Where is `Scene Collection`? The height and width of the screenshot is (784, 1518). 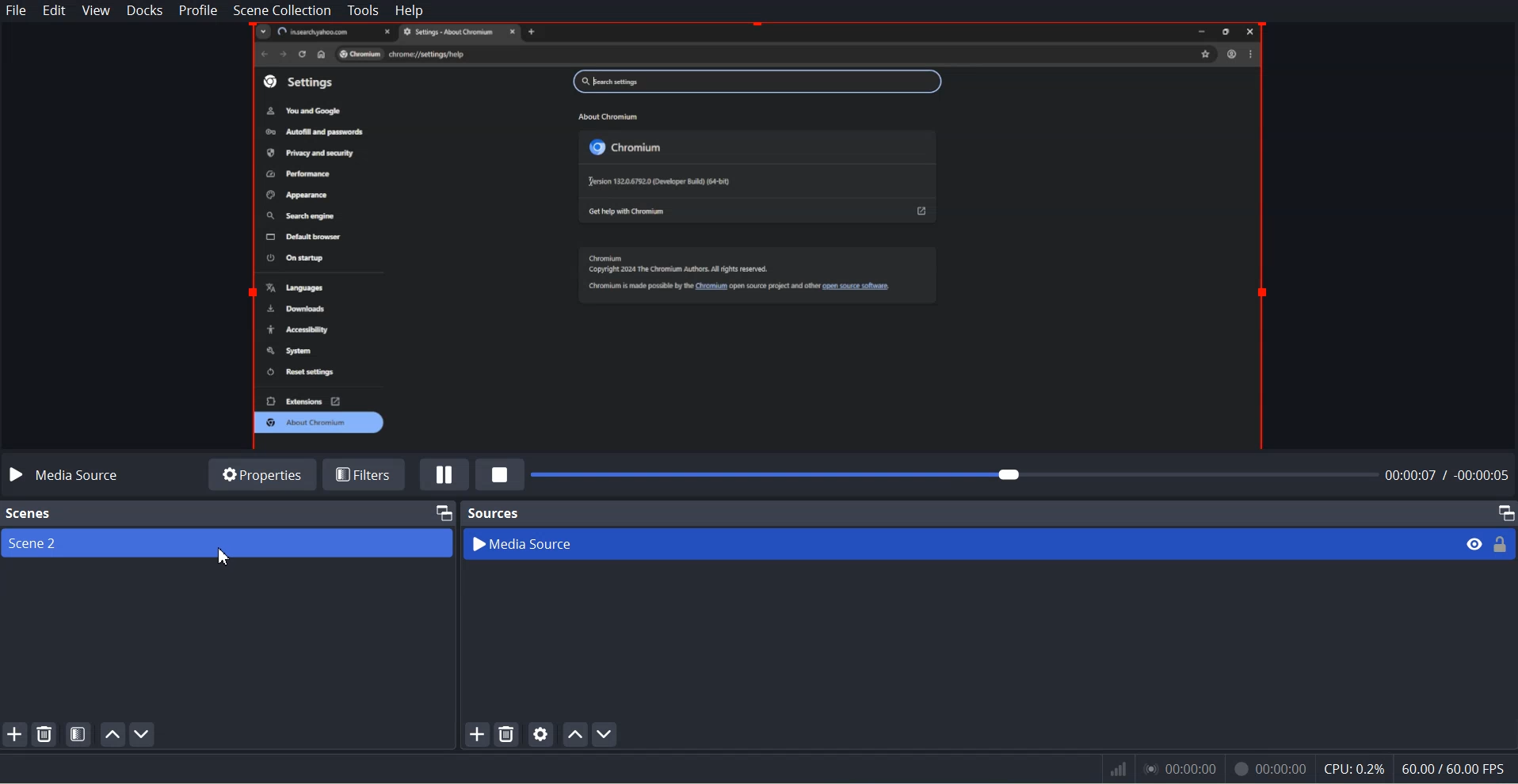 Scene Collection is located at coordinates (281, 10).